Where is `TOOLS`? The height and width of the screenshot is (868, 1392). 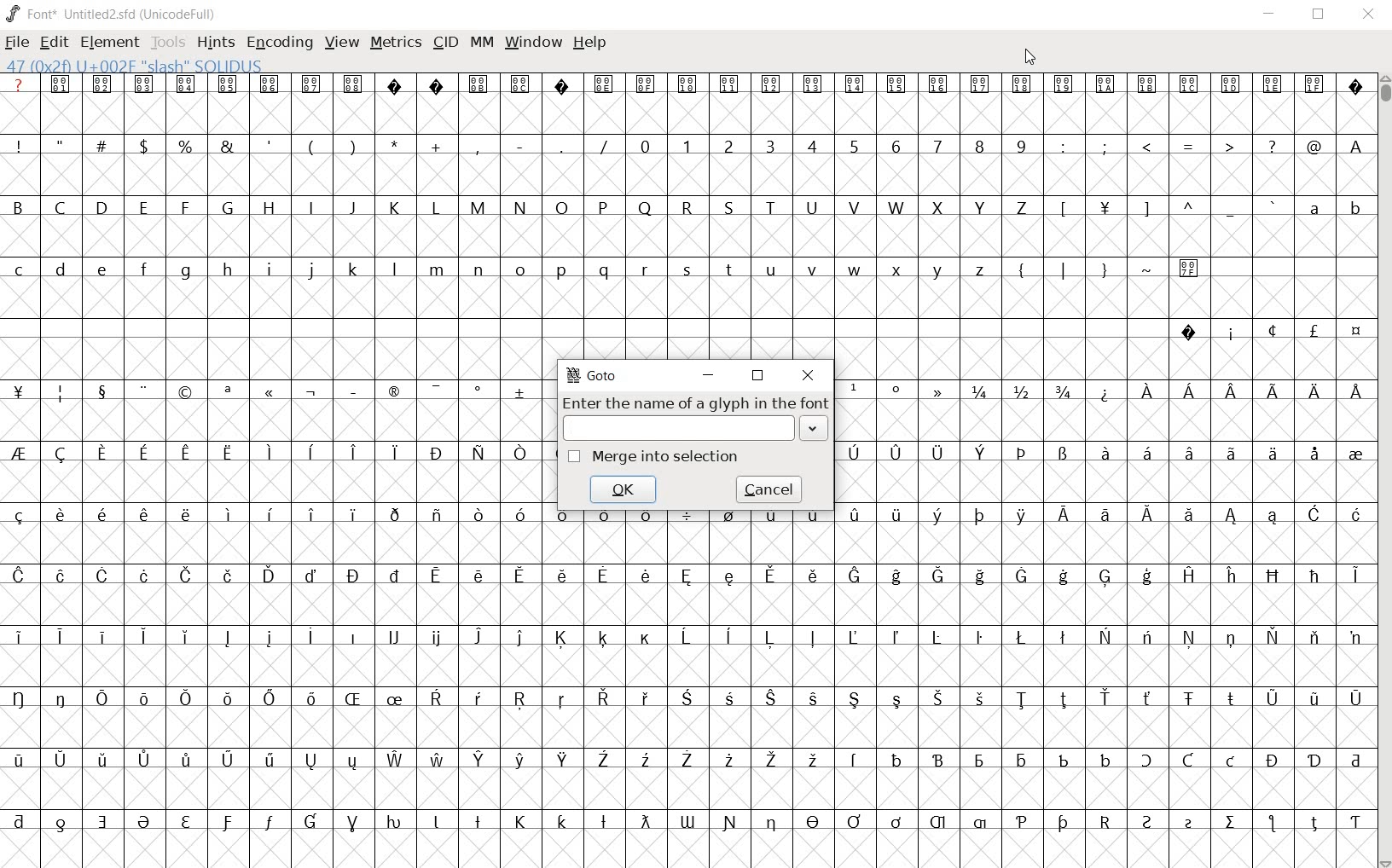 TOOLS is located at coordinates (167, 43).